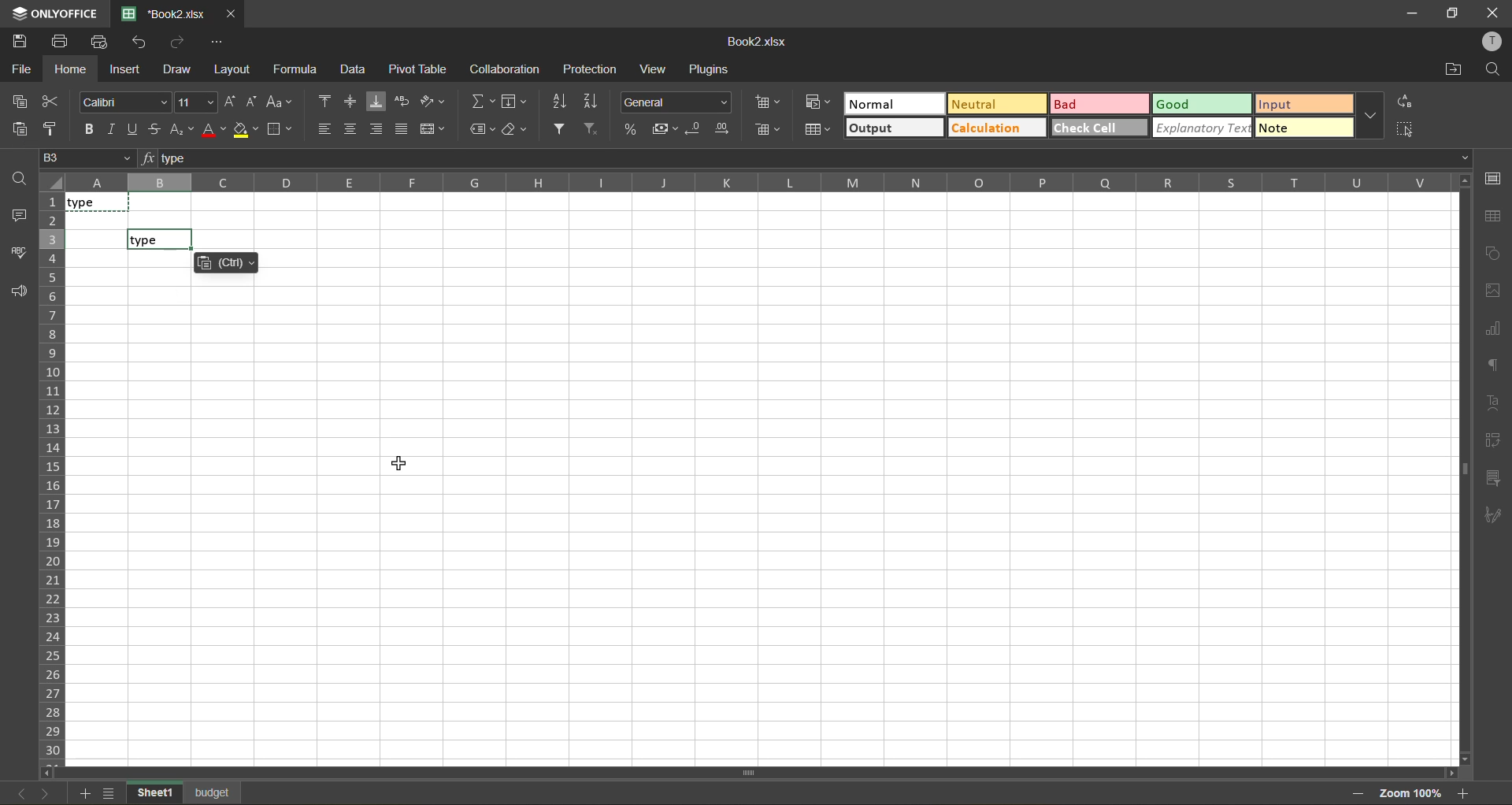  Describe the element at coordinates (354, 69) in the screenshot. I see `data` at that location.